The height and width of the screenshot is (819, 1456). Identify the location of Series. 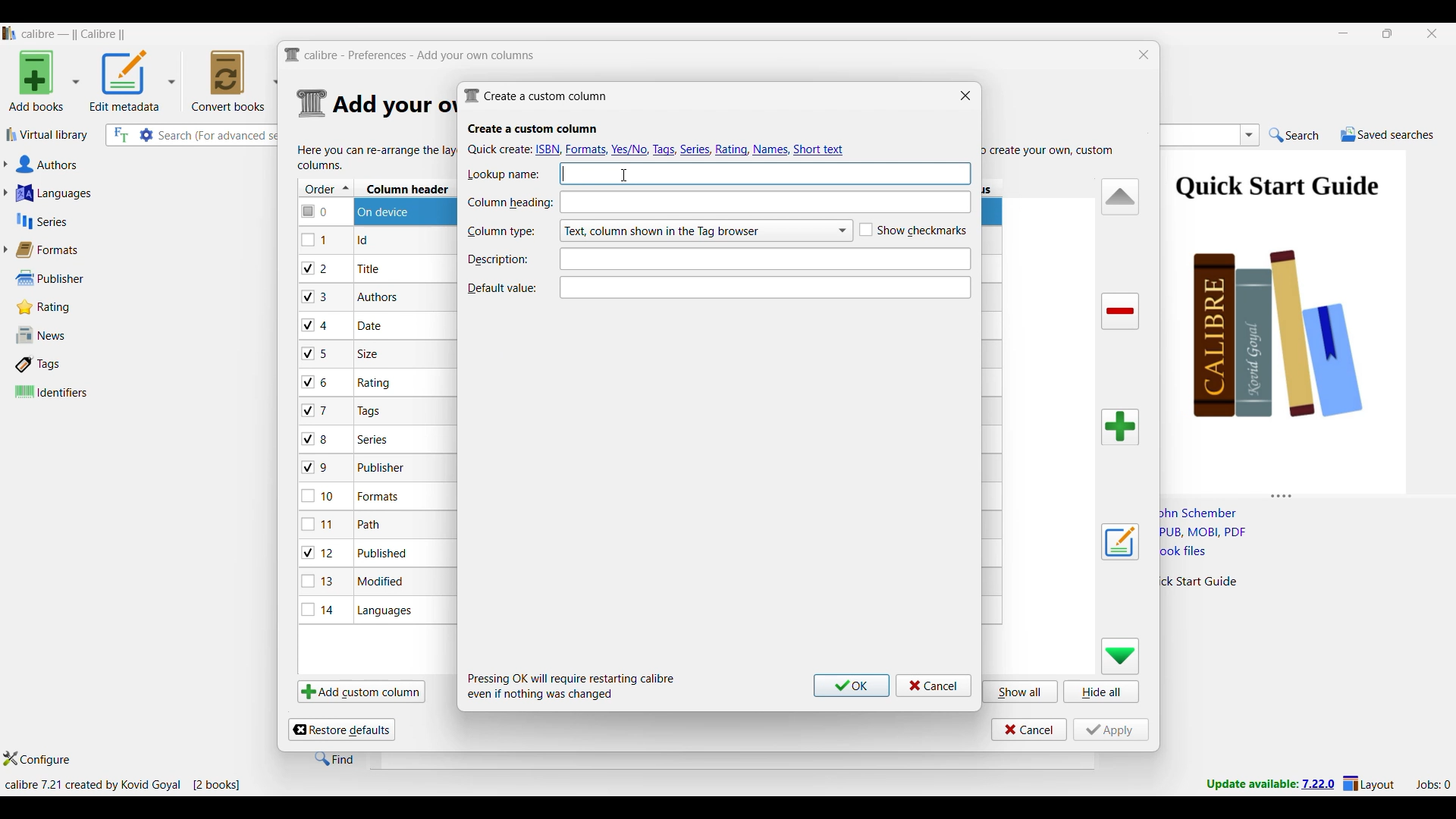
(114, 221).